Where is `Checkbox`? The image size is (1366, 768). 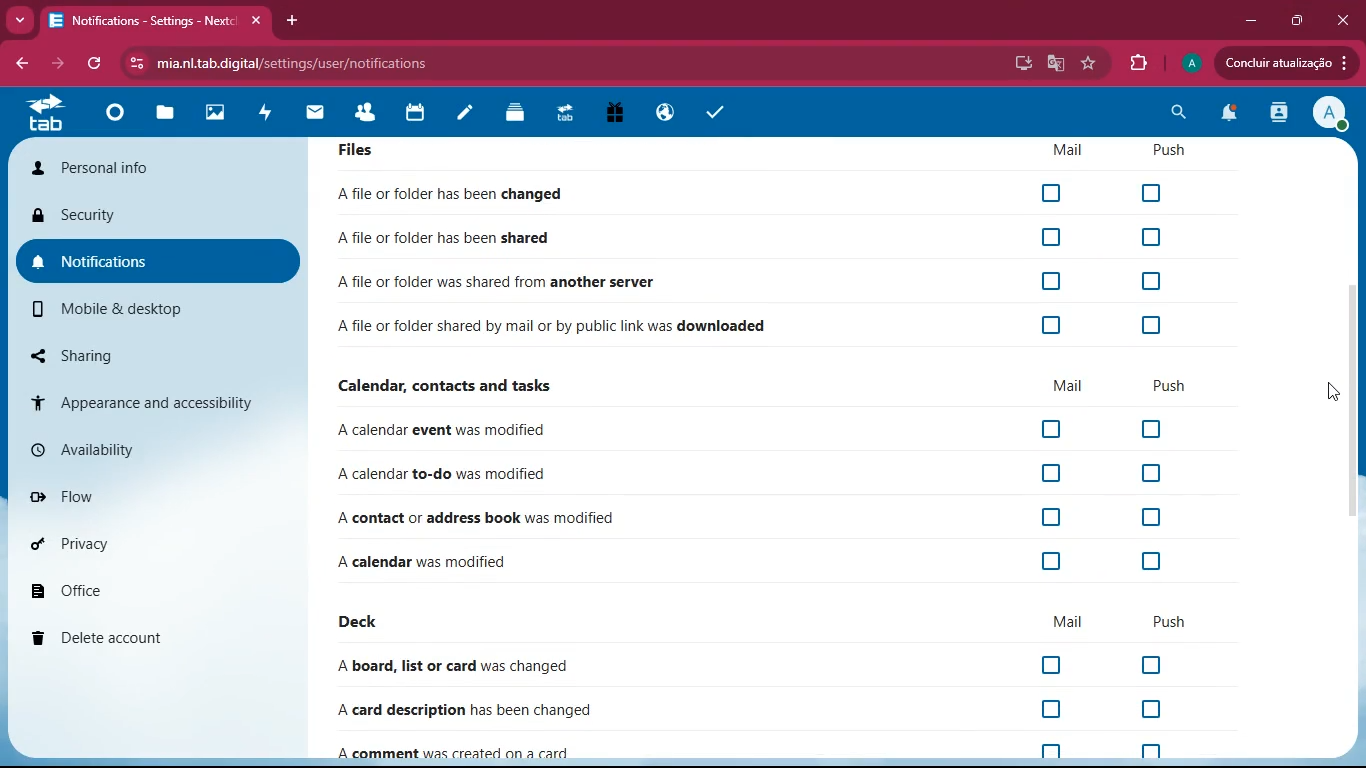
Checkbox is located at coordinates (1157, 235).